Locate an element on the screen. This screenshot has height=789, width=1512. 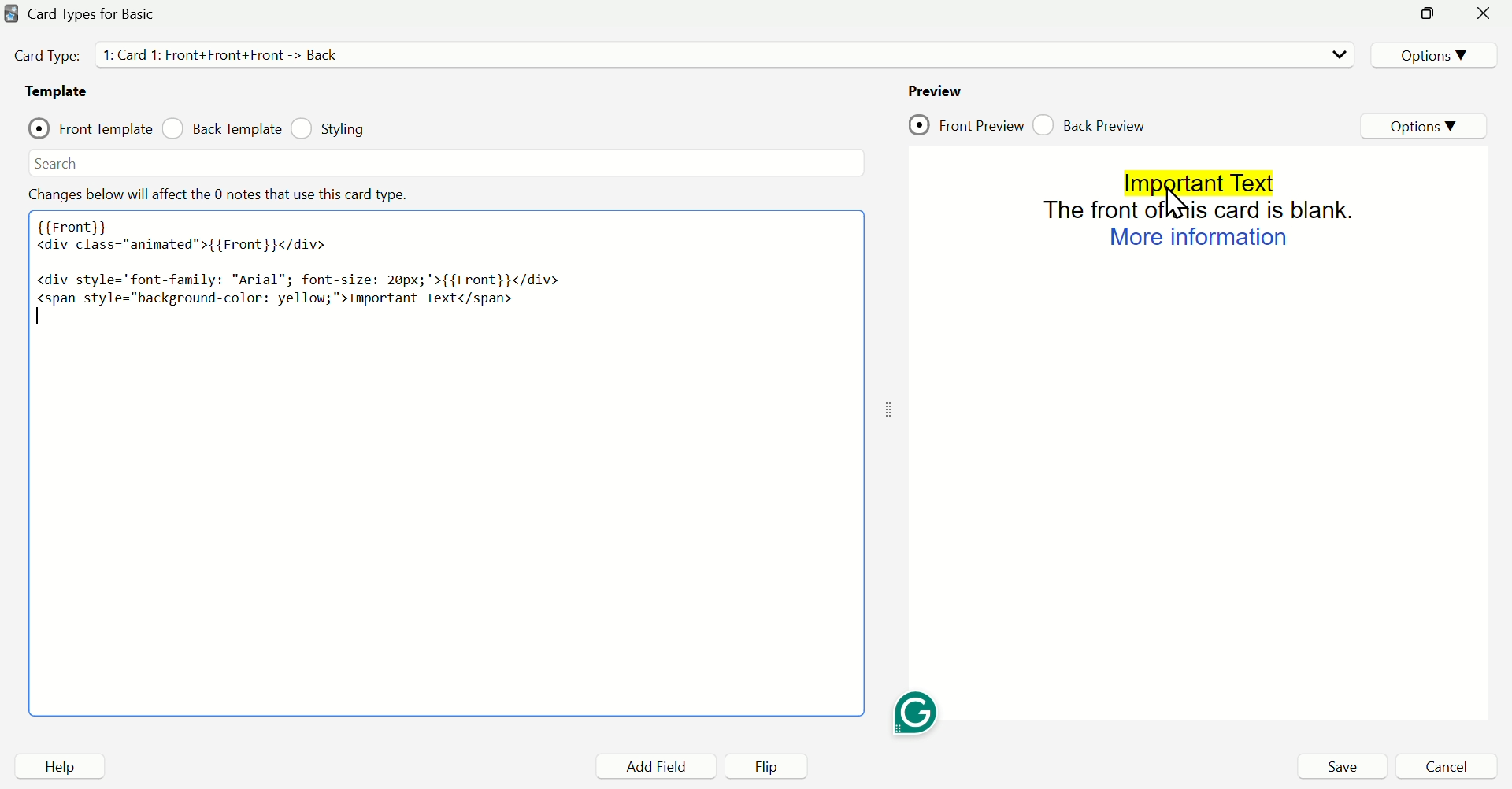
Add Field is located at coordinates (647, 765).